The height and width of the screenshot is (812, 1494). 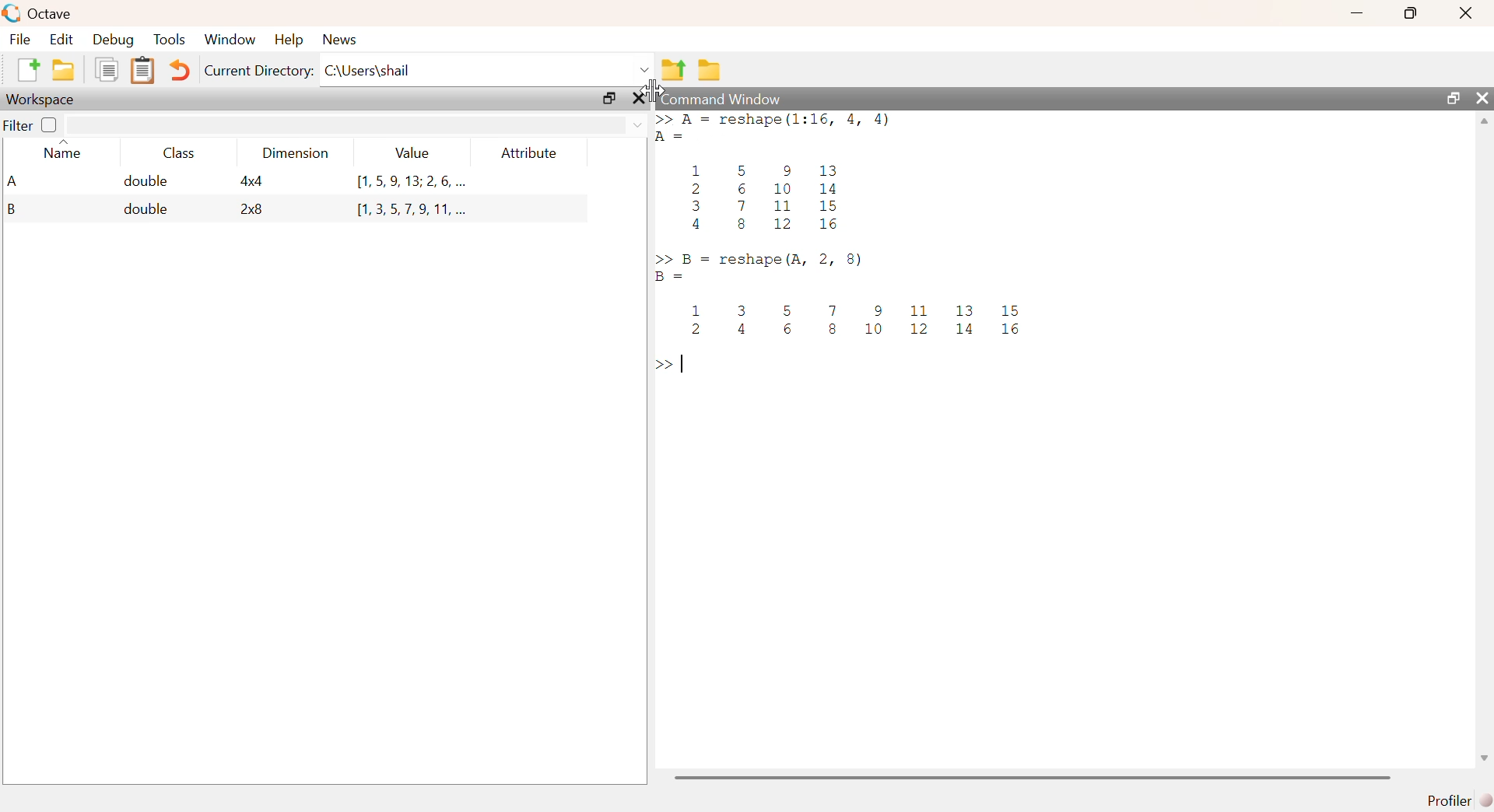 What do you see at coordinates (254, 210) in the screenshot?
I see `2x8` at bounding box center [254, 210].